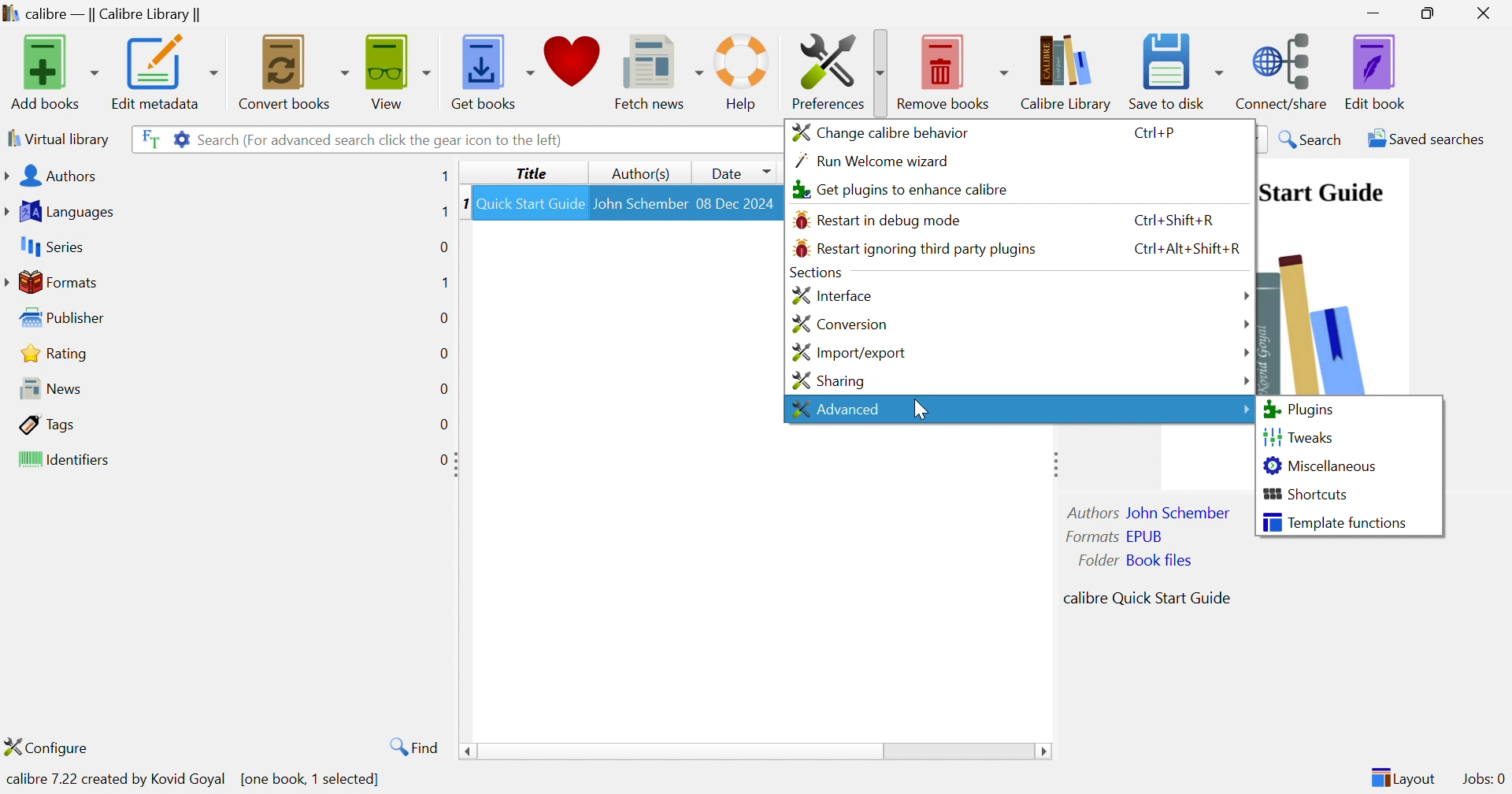 The image size is (1512, 794). I want to click on 1, so click(440, 212).